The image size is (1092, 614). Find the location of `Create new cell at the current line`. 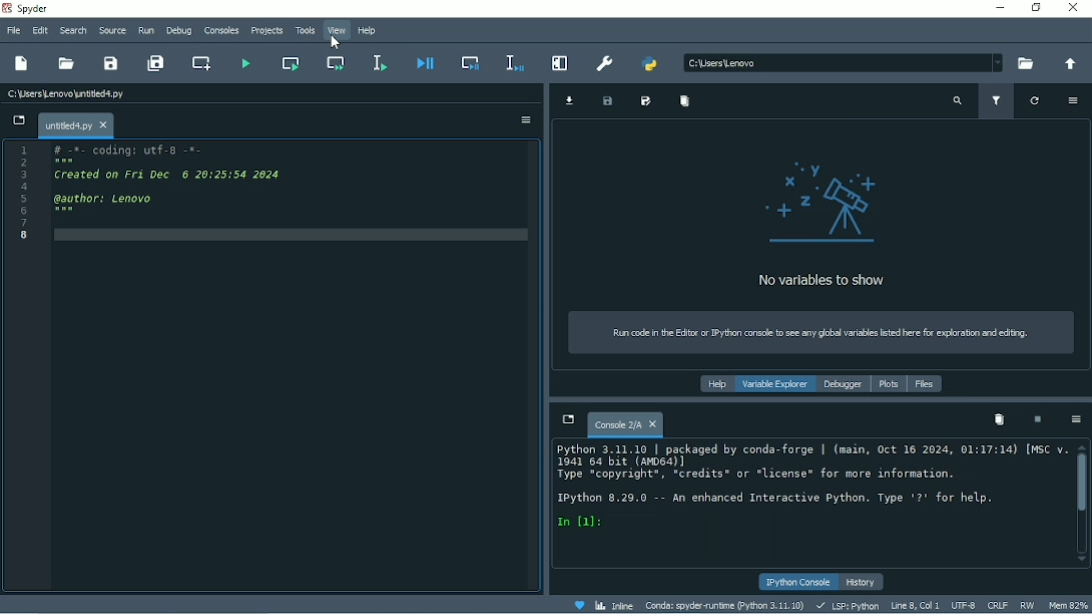

Create new cell at the current line is located at coordinates (203, 63).